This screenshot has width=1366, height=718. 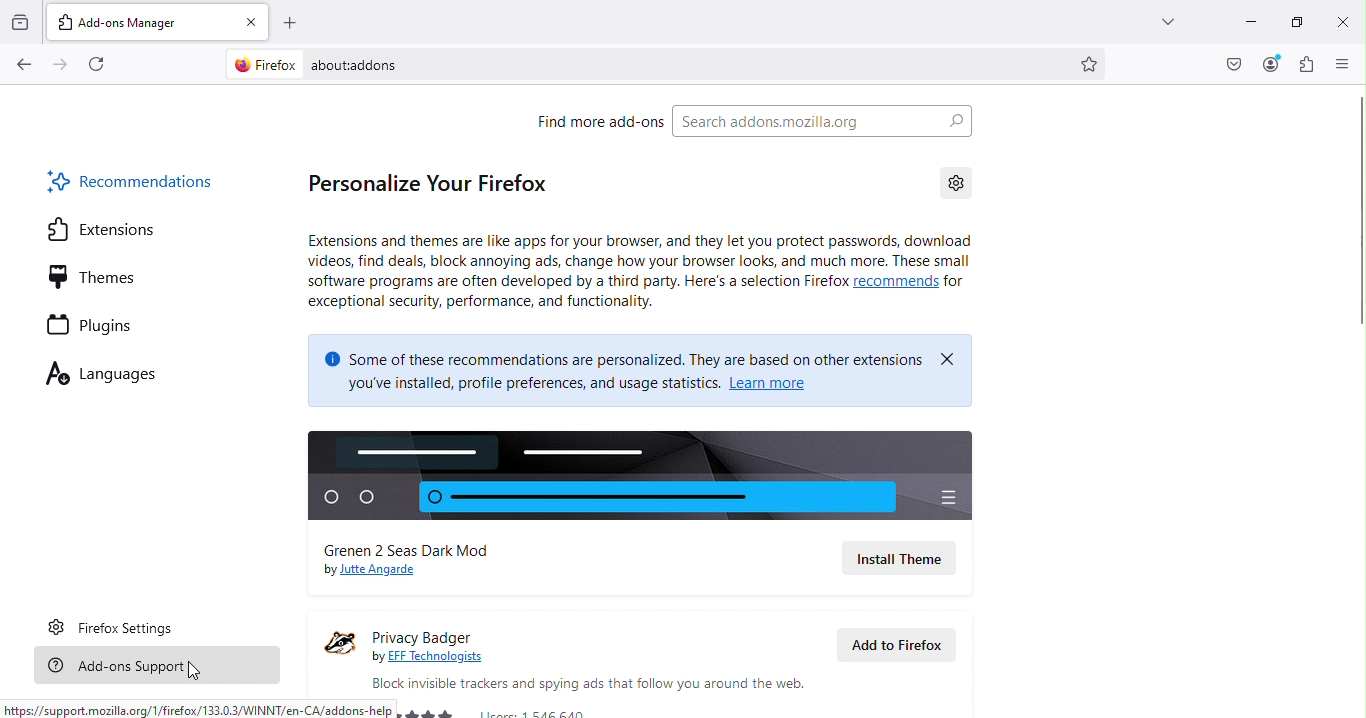 What do you see at coordinates (24, 20) in the screenshot?
I see `Visit recent browsing across windows and devices` at bounding box center [24, 20].